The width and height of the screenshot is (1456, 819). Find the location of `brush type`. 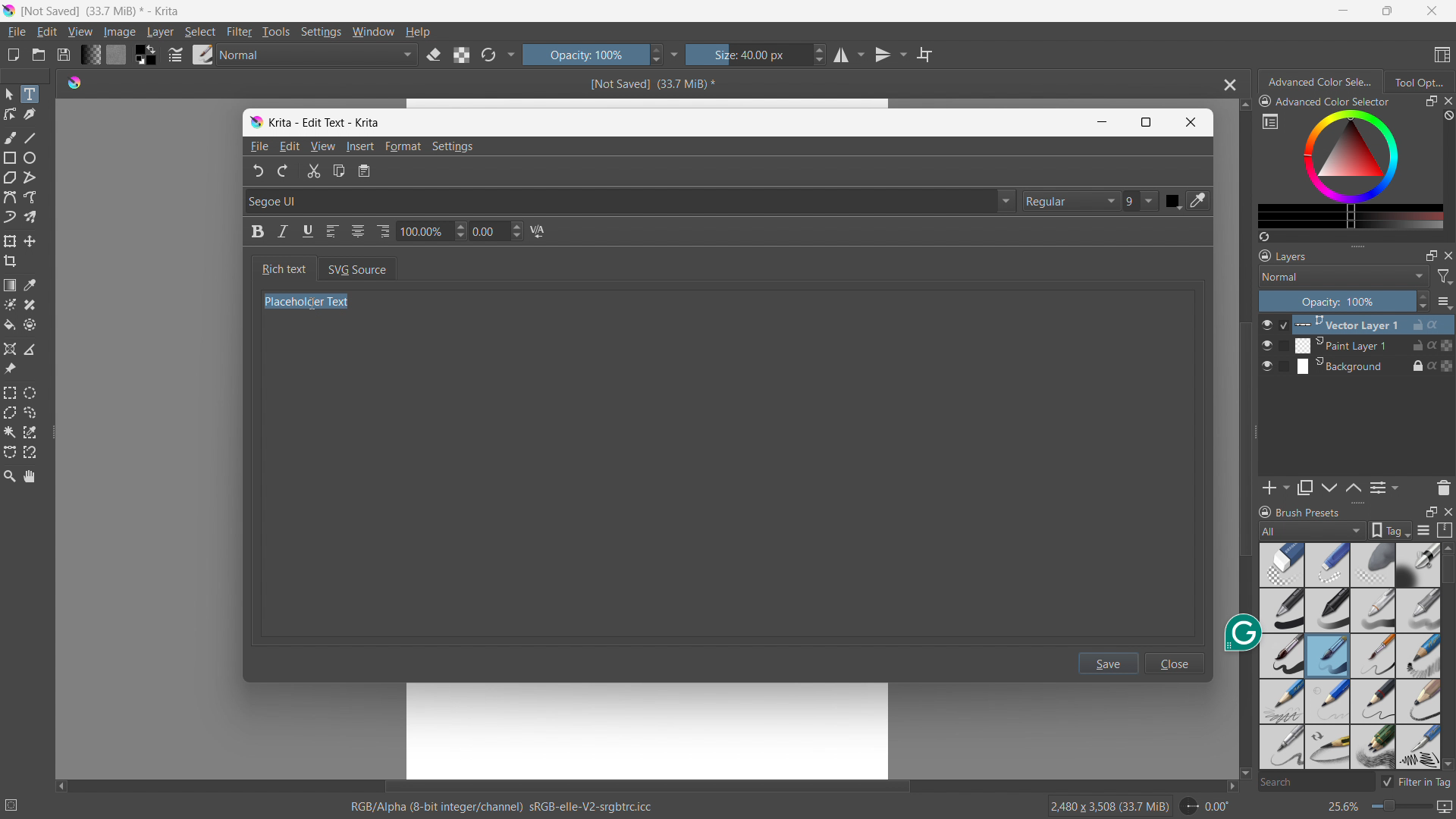

brush type is located at coordinates (1313, 530).